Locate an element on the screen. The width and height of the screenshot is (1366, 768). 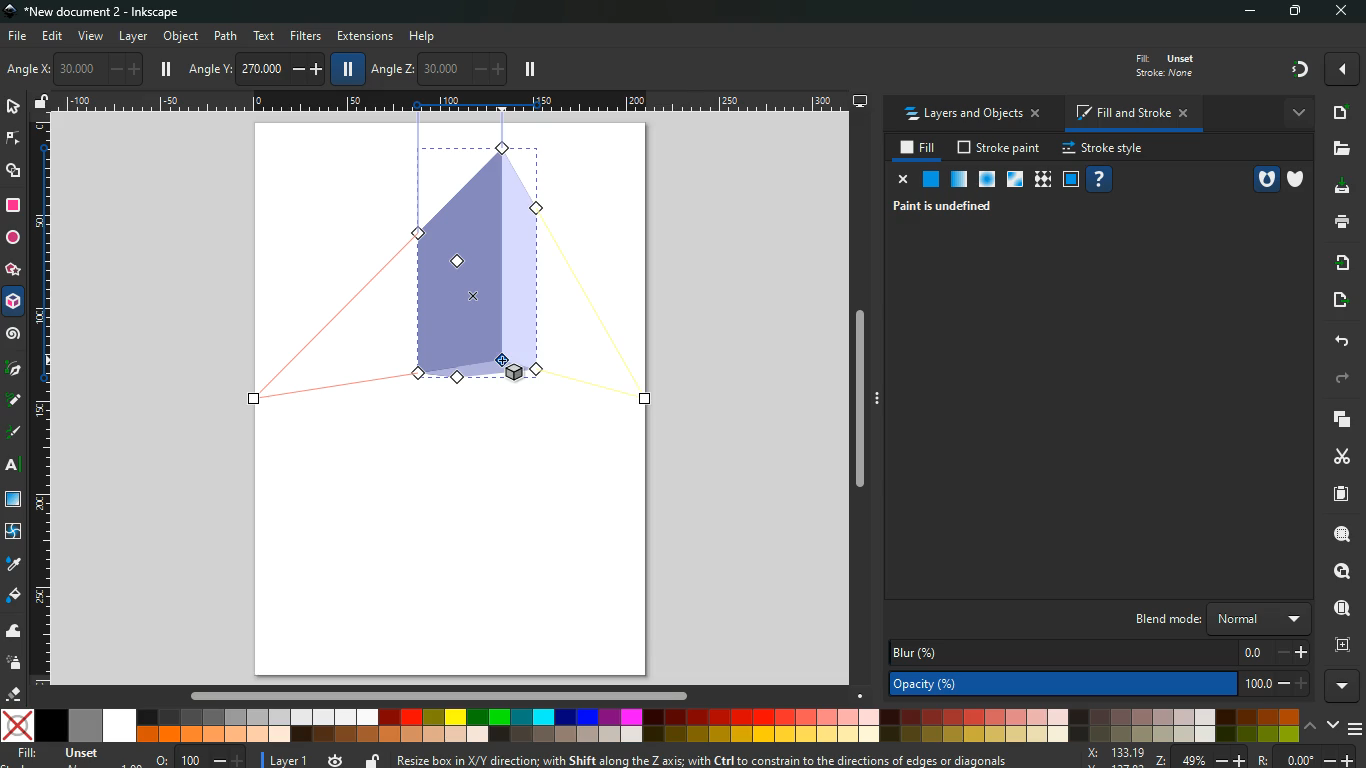
angle y is located at coordinates (258, 66).